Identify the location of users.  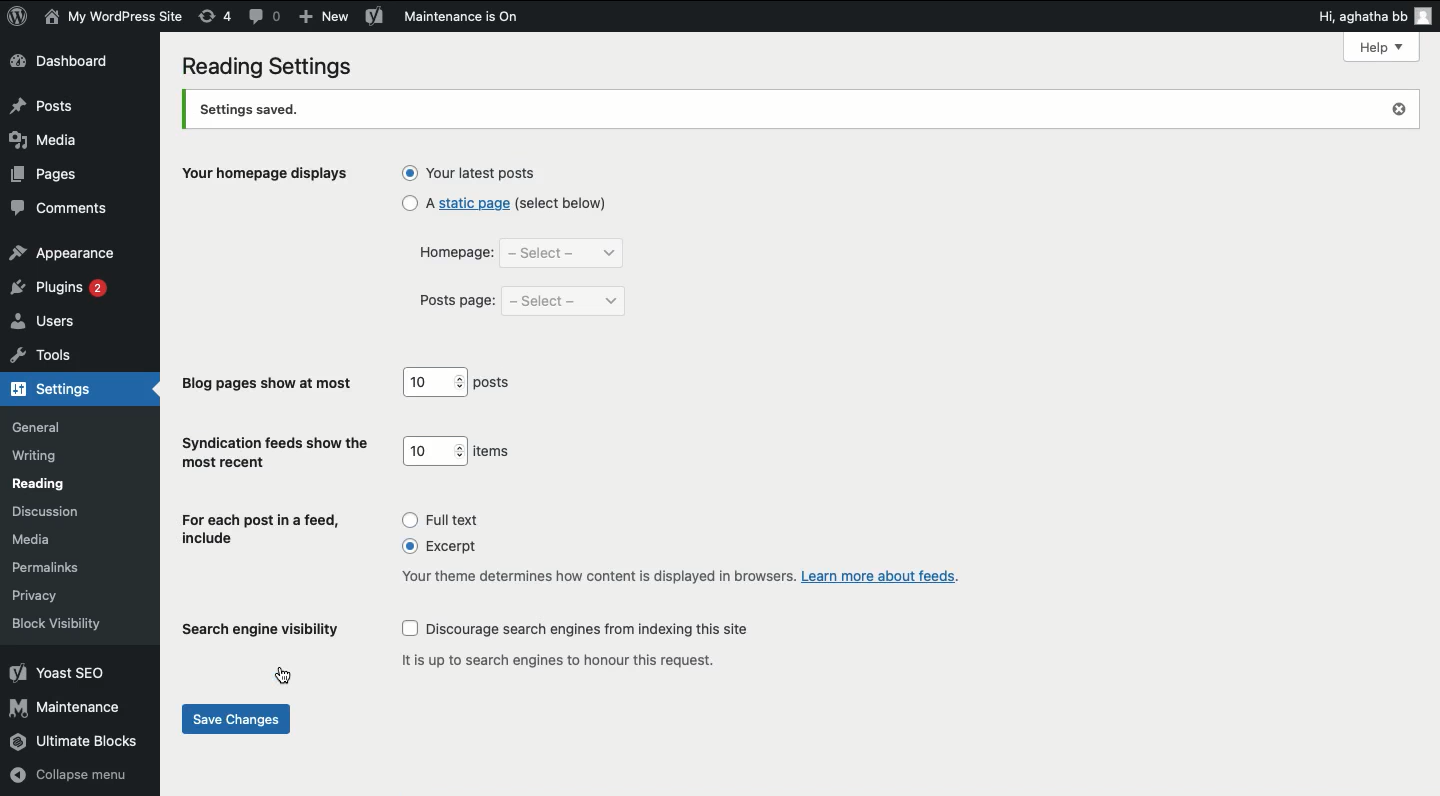
(50, 323).